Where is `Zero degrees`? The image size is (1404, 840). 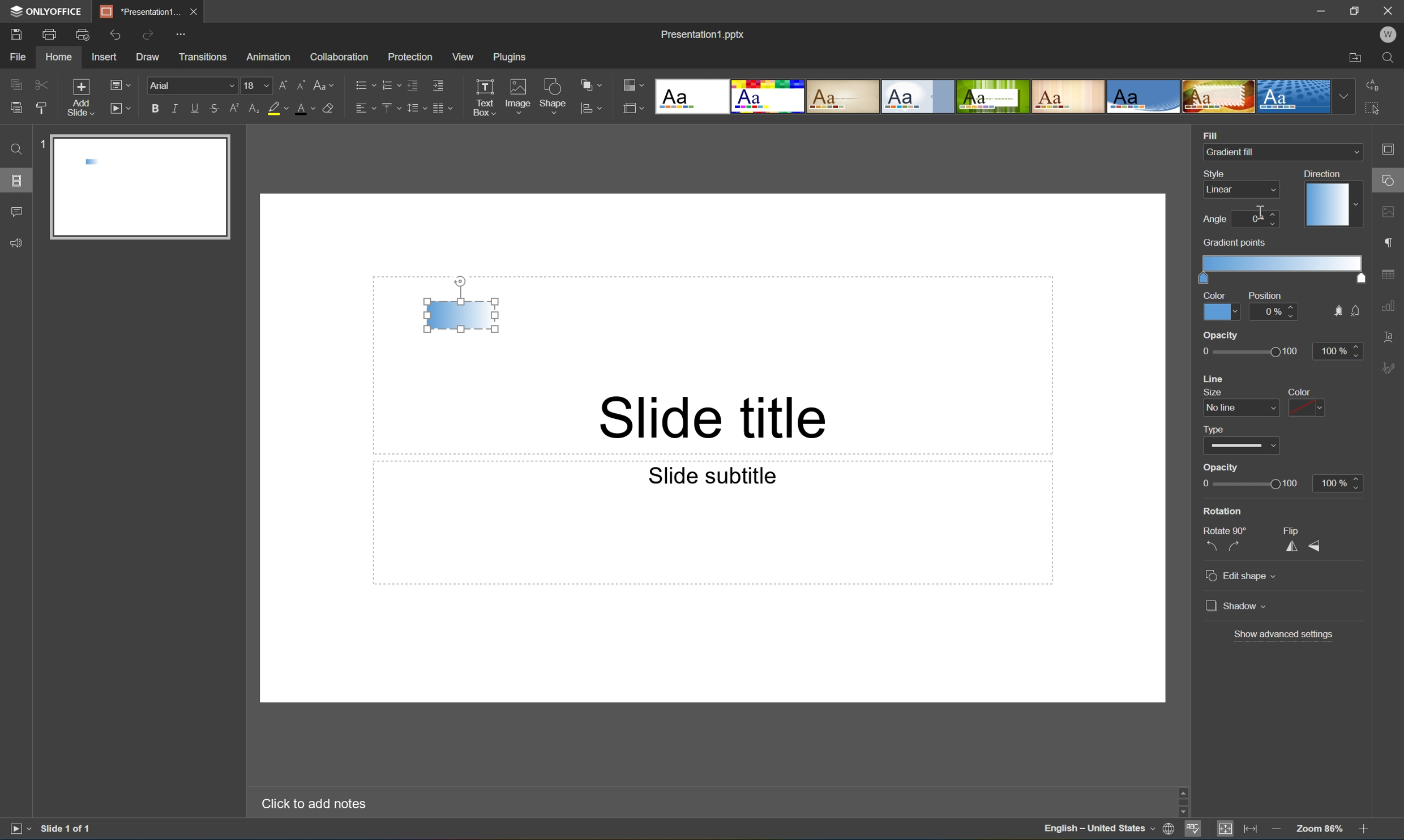 Zero degrees is located at coordinates (1256, 220).